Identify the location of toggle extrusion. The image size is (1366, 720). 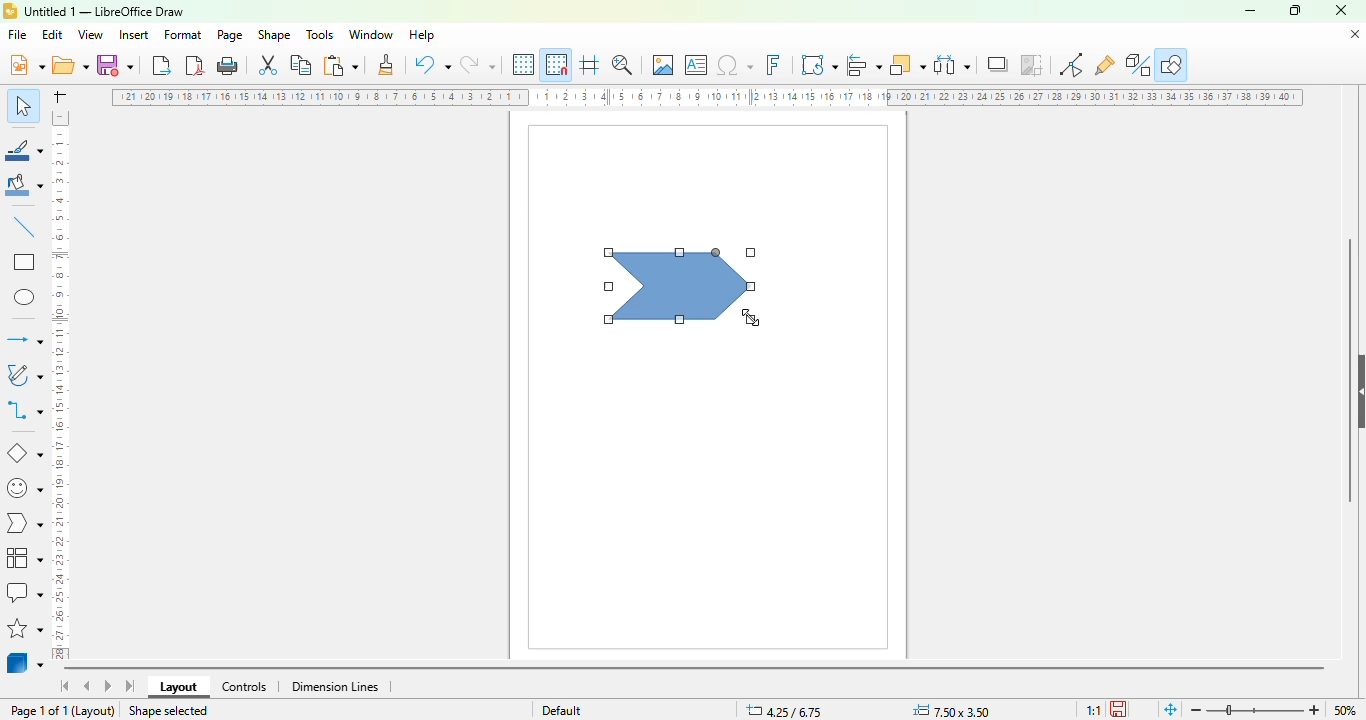
(1138, 65).